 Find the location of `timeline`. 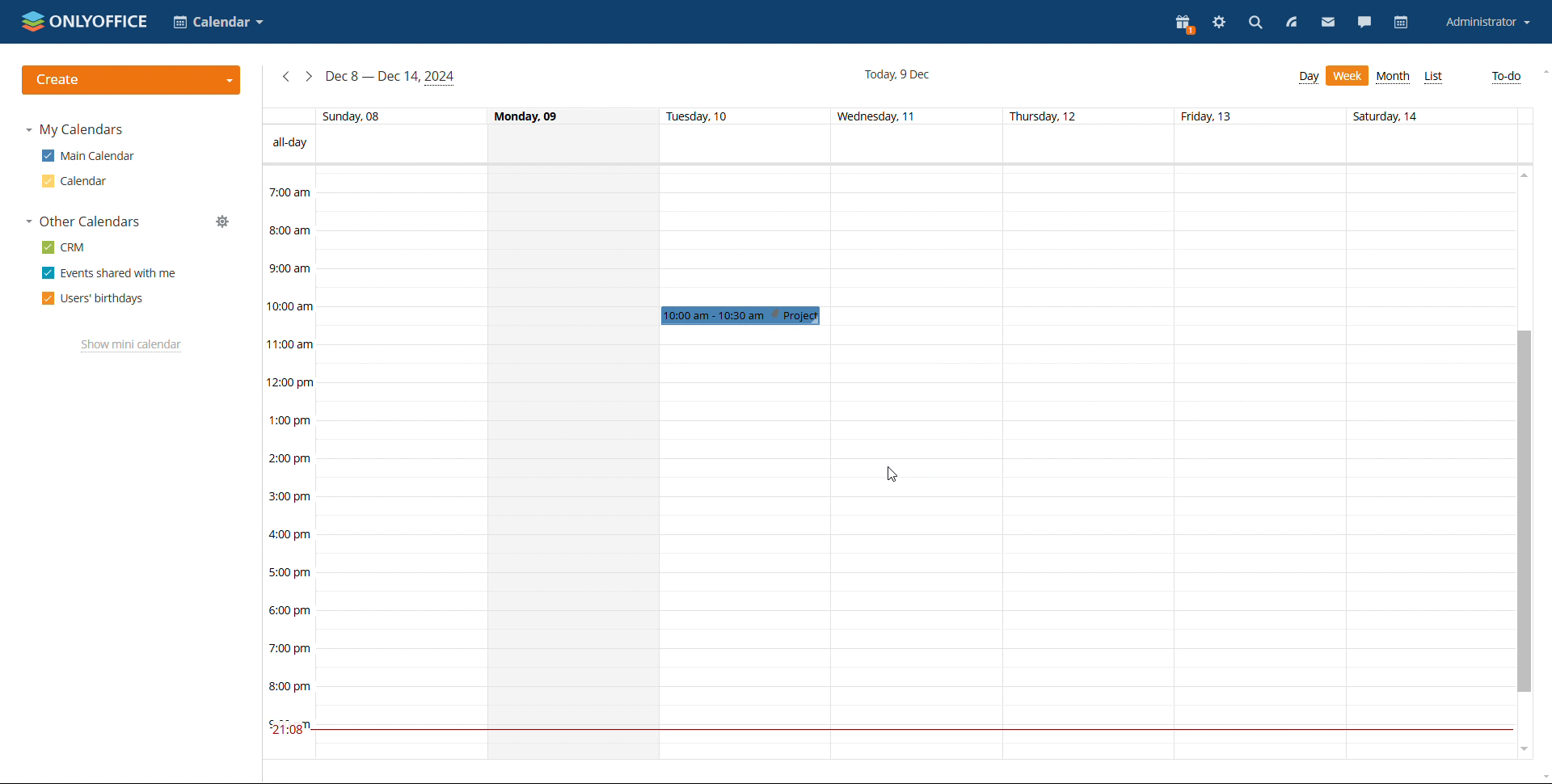

timeline is located at coordinates (286, 462).